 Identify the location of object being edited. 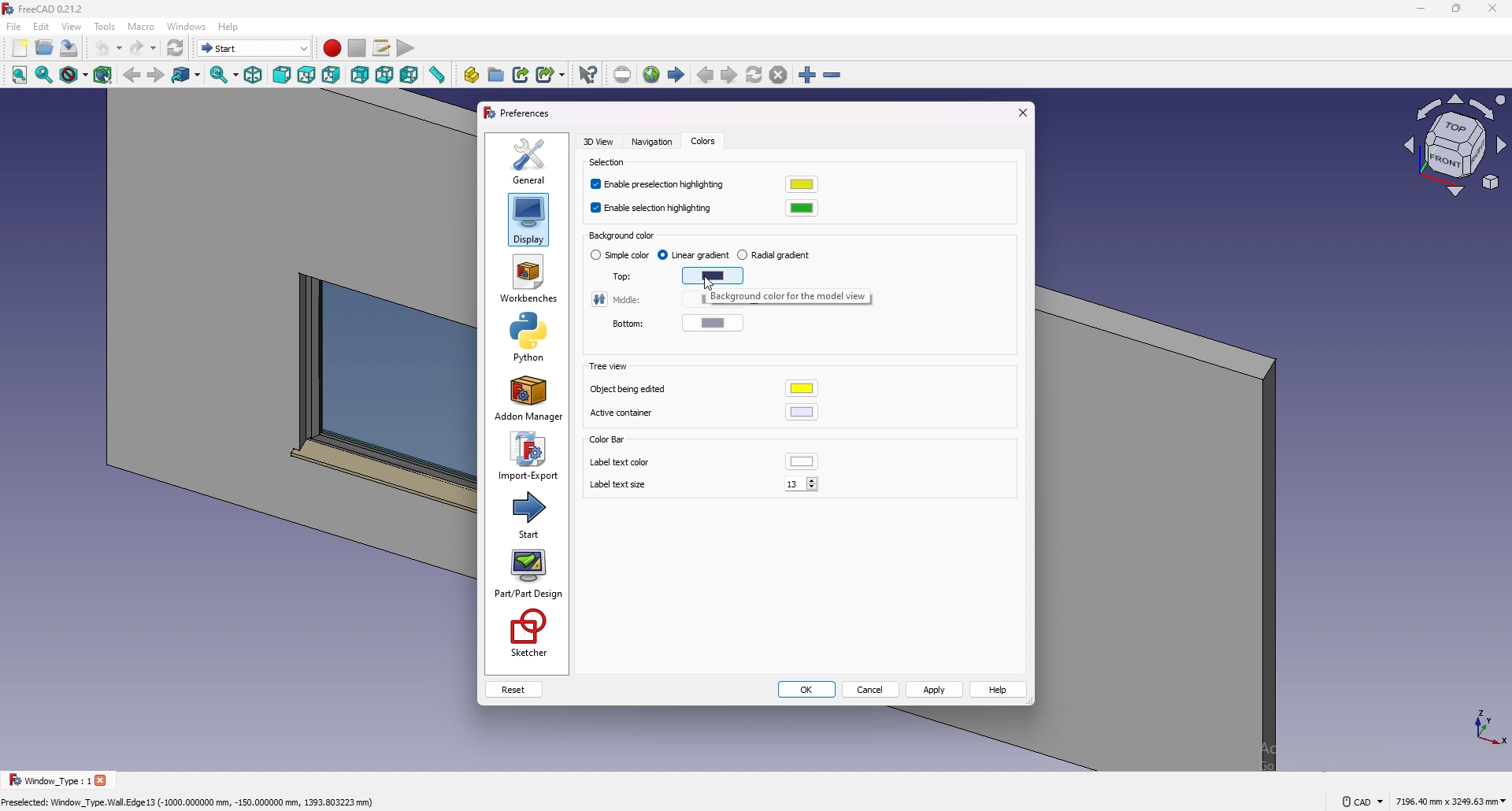
(632, 389).